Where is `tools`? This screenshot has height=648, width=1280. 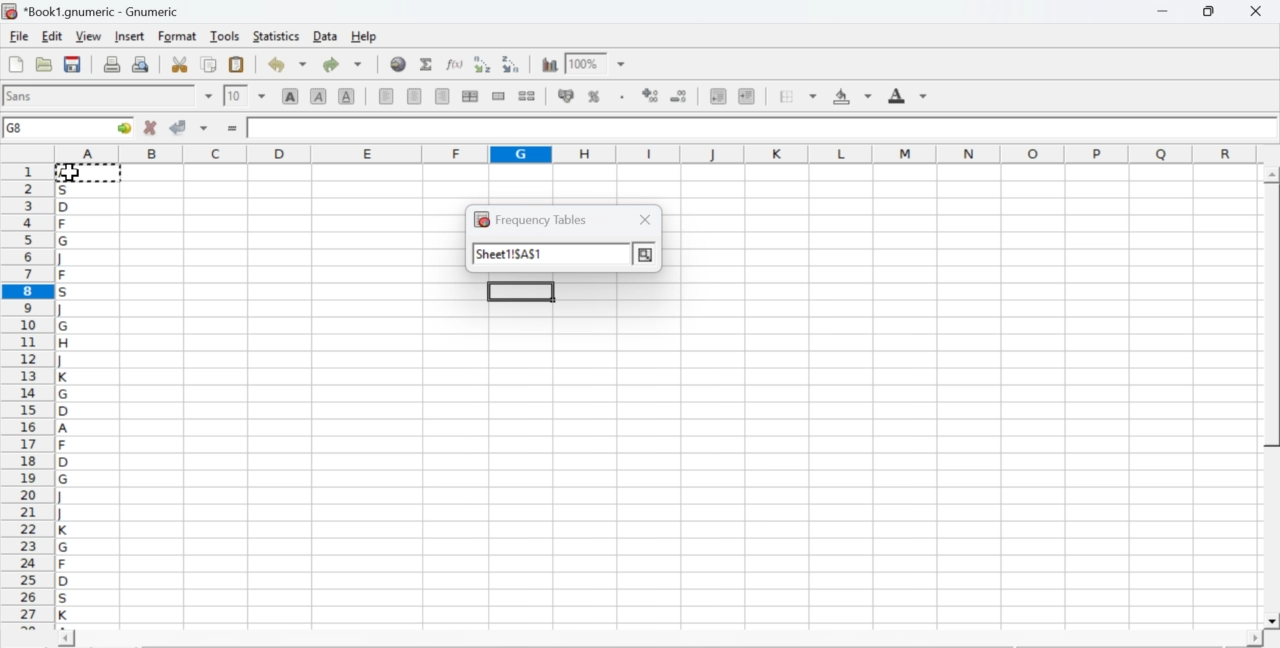
tools is located at coordinates (226, 35).